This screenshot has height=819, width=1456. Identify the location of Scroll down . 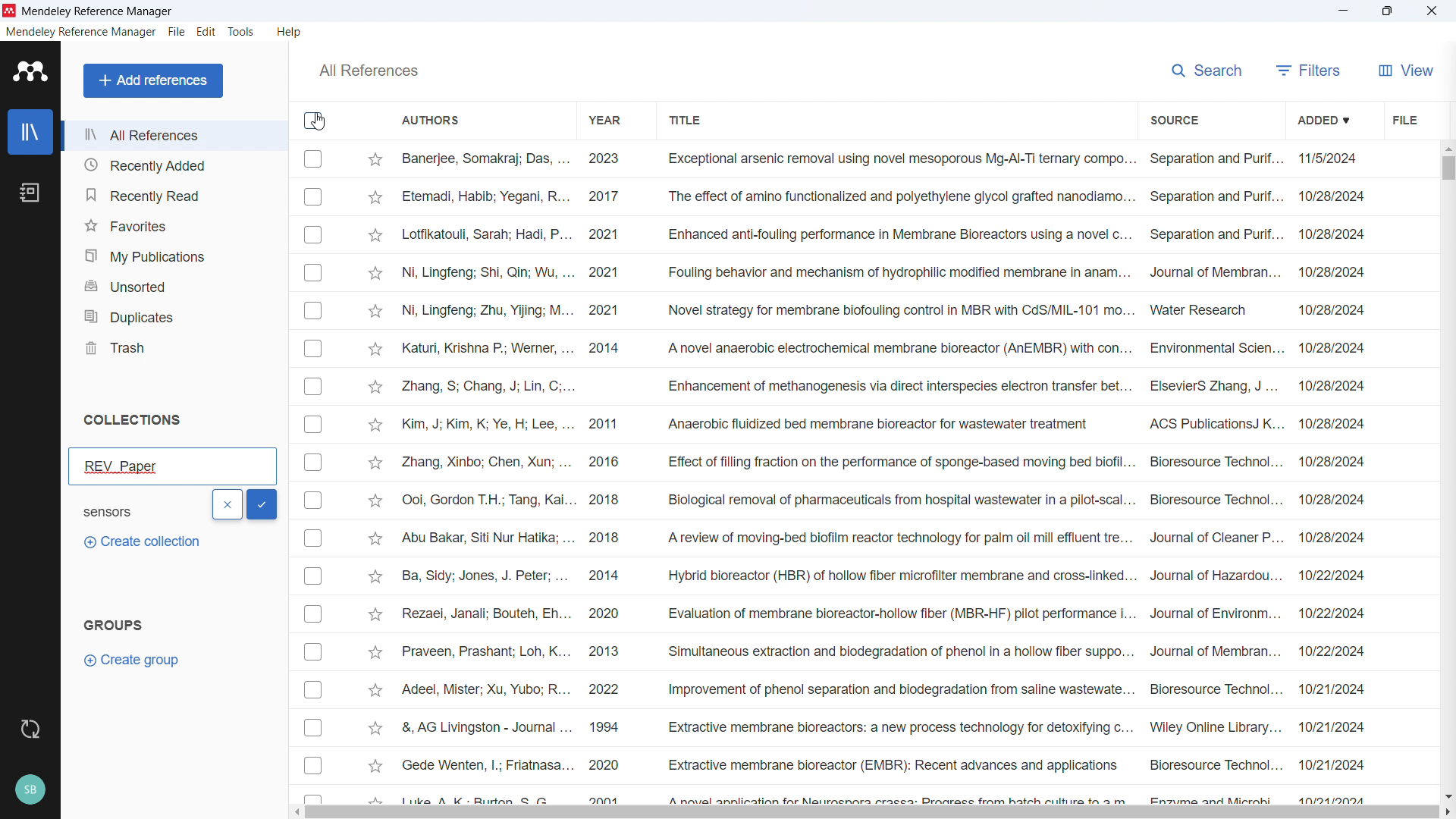
(1447, 795).